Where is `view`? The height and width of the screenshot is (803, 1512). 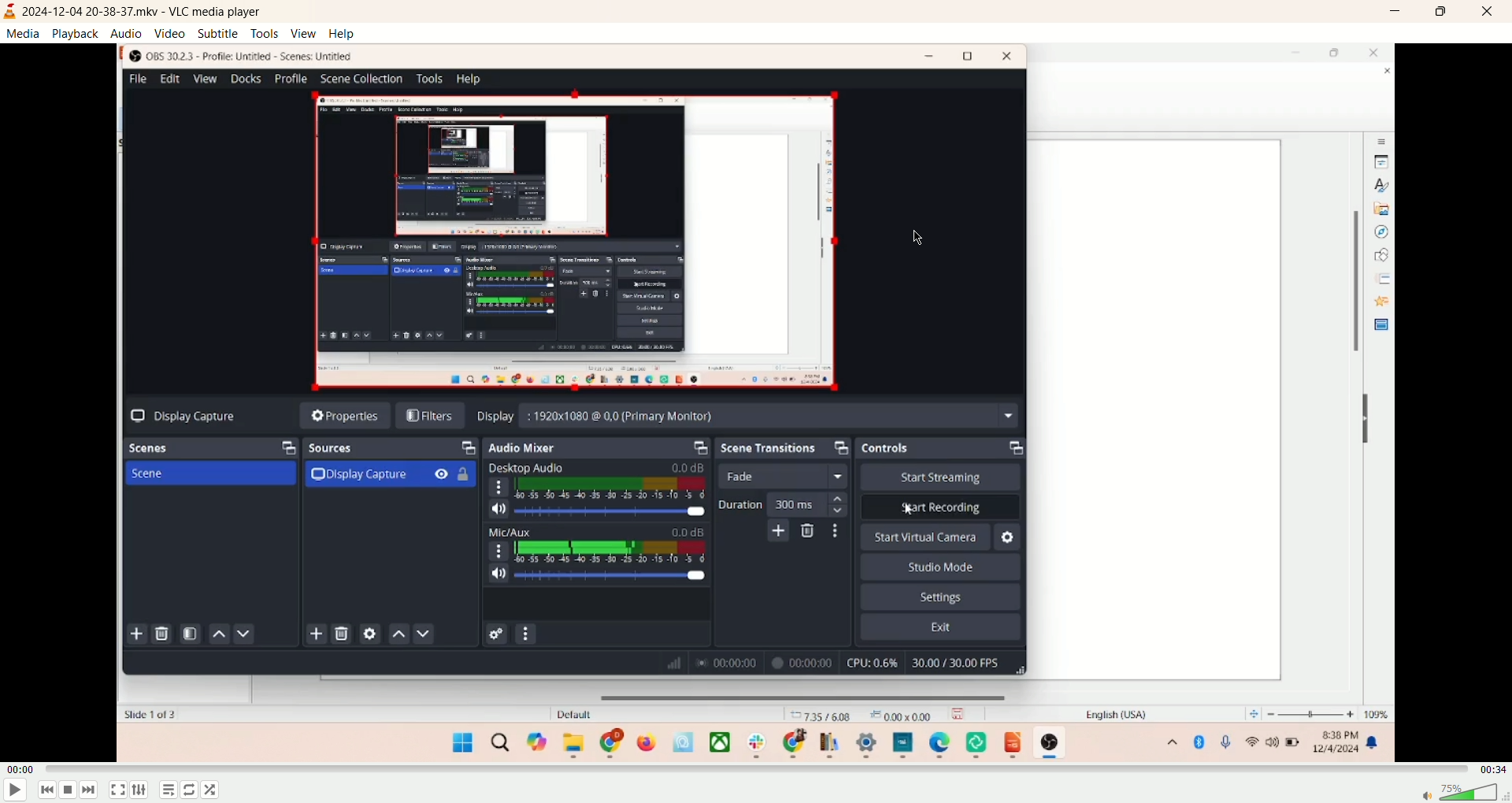 view is located at coordinates (303, 34).